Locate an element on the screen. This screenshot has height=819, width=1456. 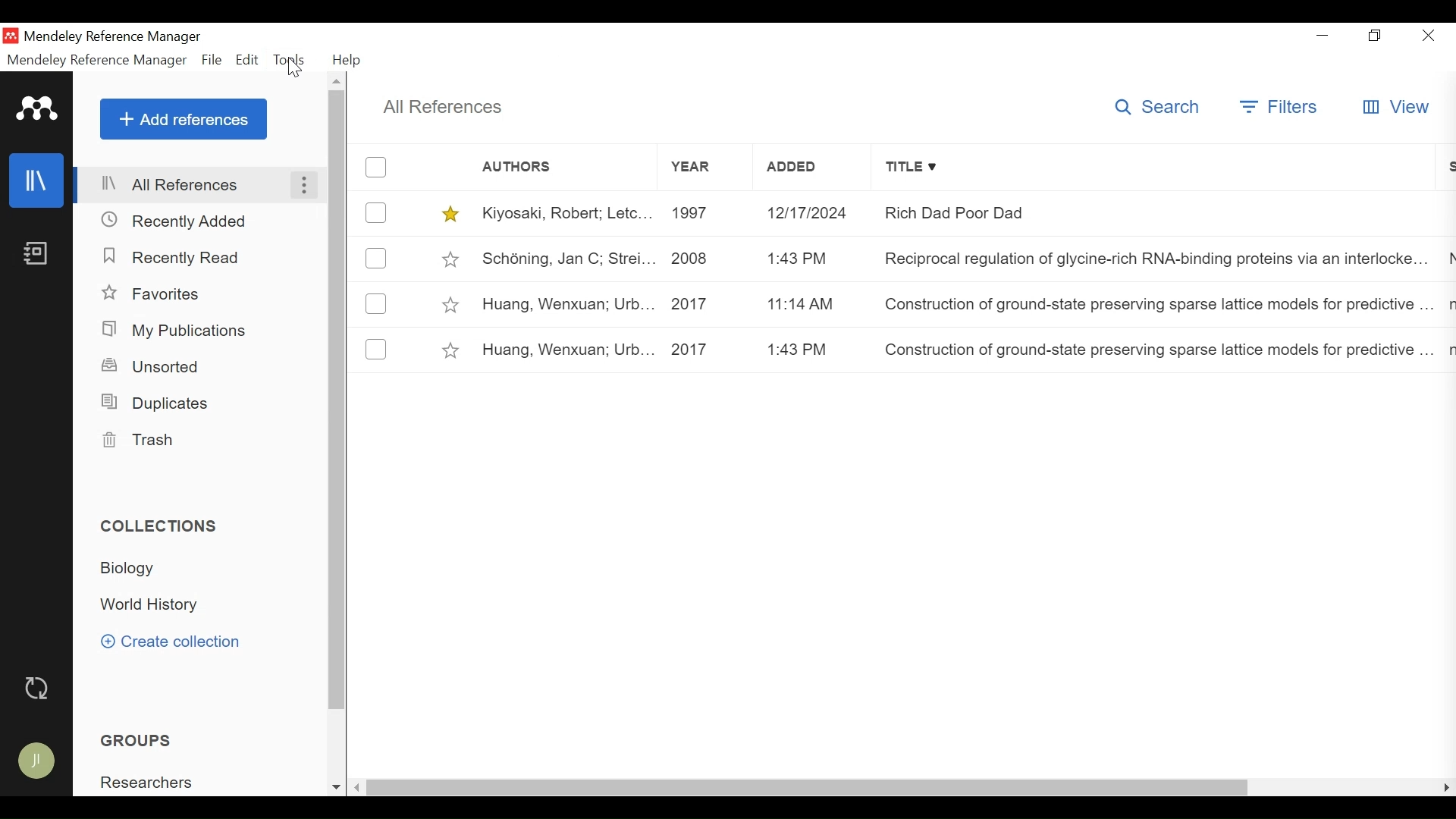
Collection is located at coordinates (155, 605).